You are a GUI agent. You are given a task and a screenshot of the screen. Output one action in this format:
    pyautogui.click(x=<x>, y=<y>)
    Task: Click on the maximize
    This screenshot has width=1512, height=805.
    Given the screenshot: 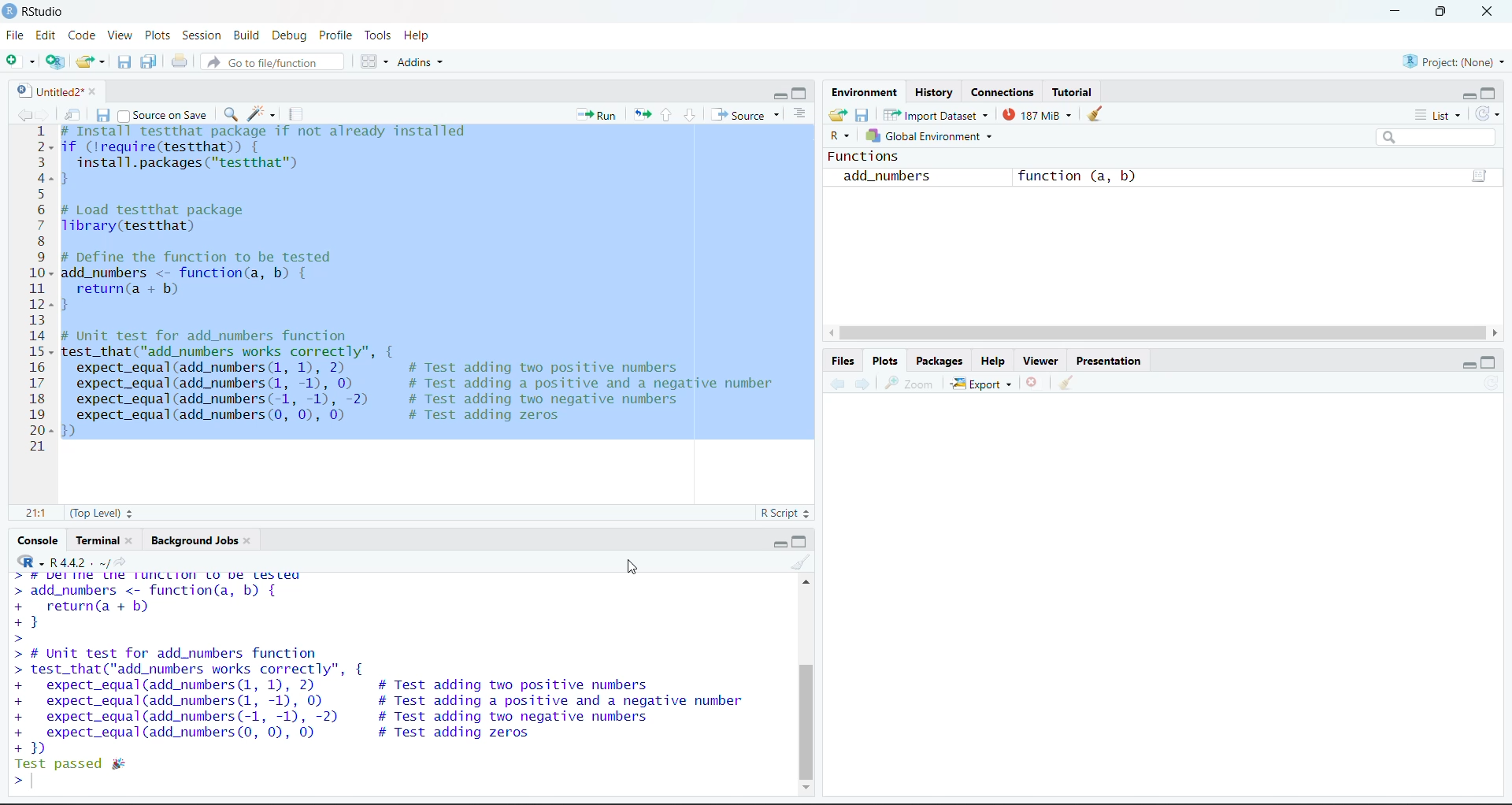 What is the action you would take?
    pyautogui.click(x=1490, y=363)
    